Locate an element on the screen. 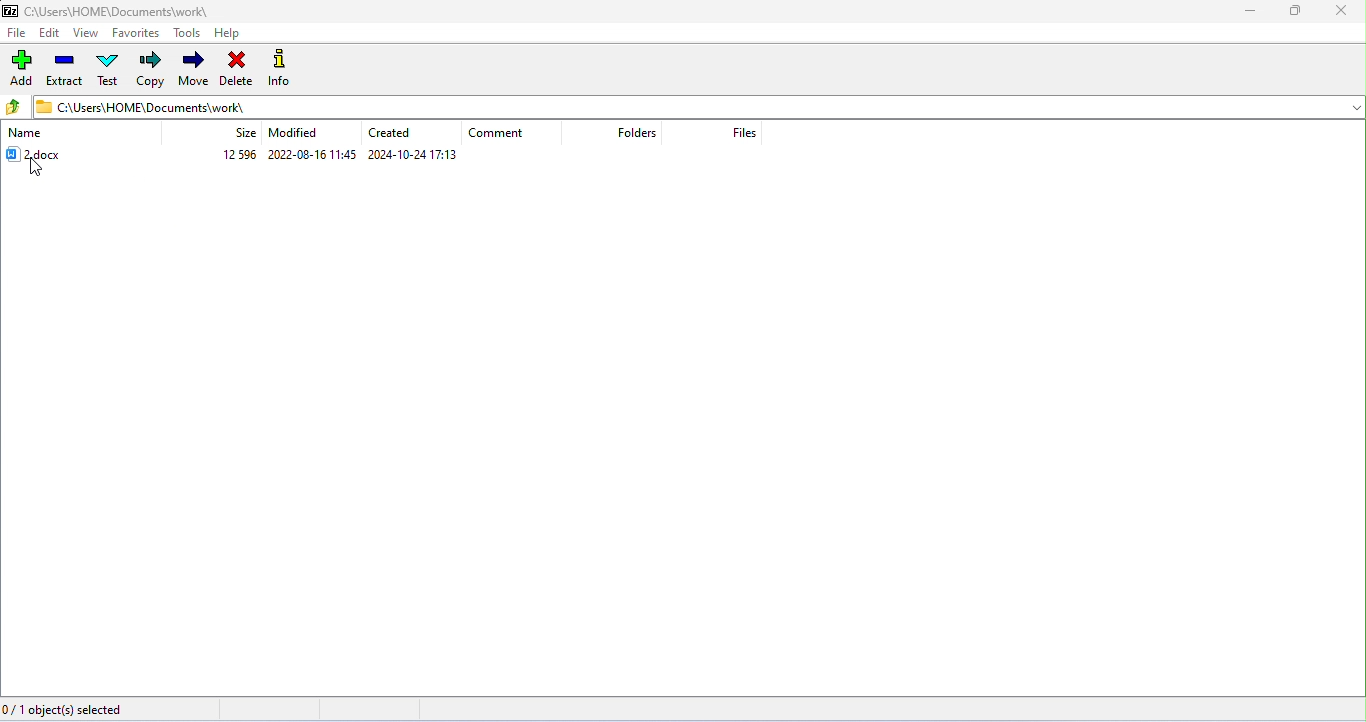 This screenshot has width=1366, height=722. comment is located at coordinates (497, 134).